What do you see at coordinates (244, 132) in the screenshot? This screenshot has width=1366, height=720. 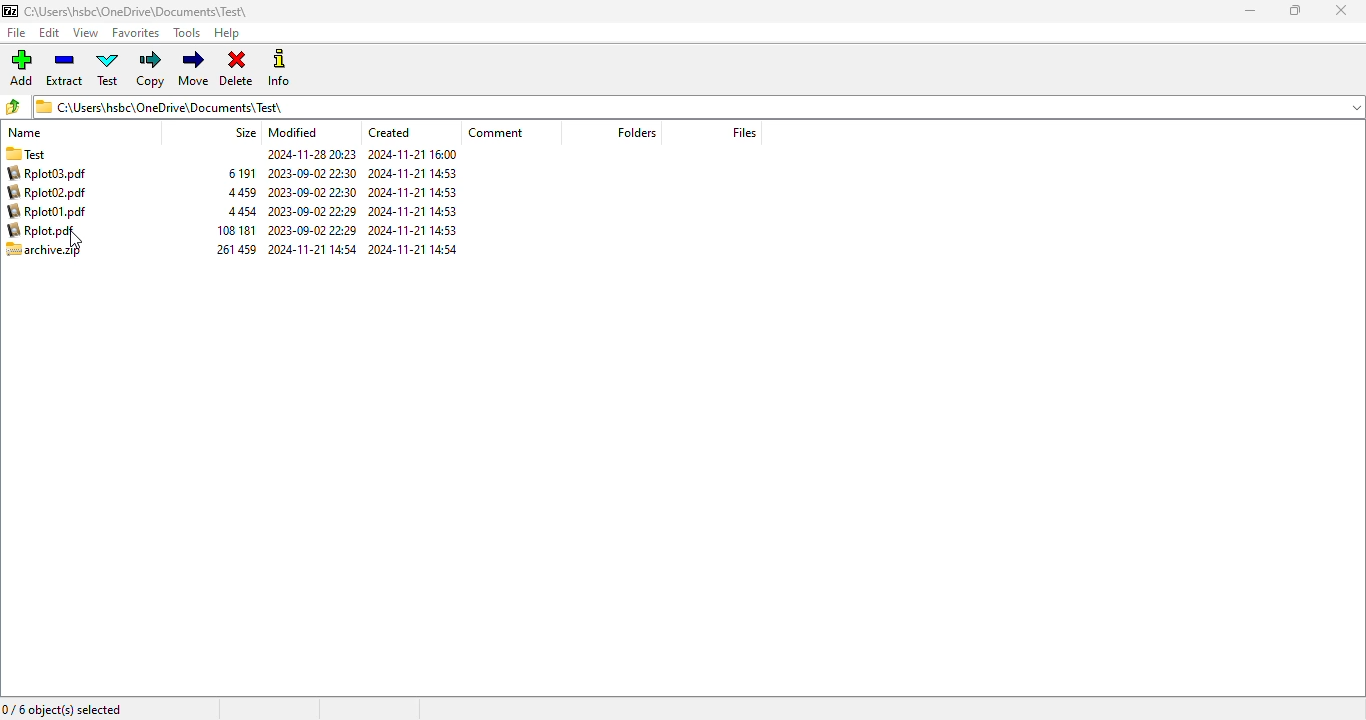 I see `size` at bounding box center [244, 132].